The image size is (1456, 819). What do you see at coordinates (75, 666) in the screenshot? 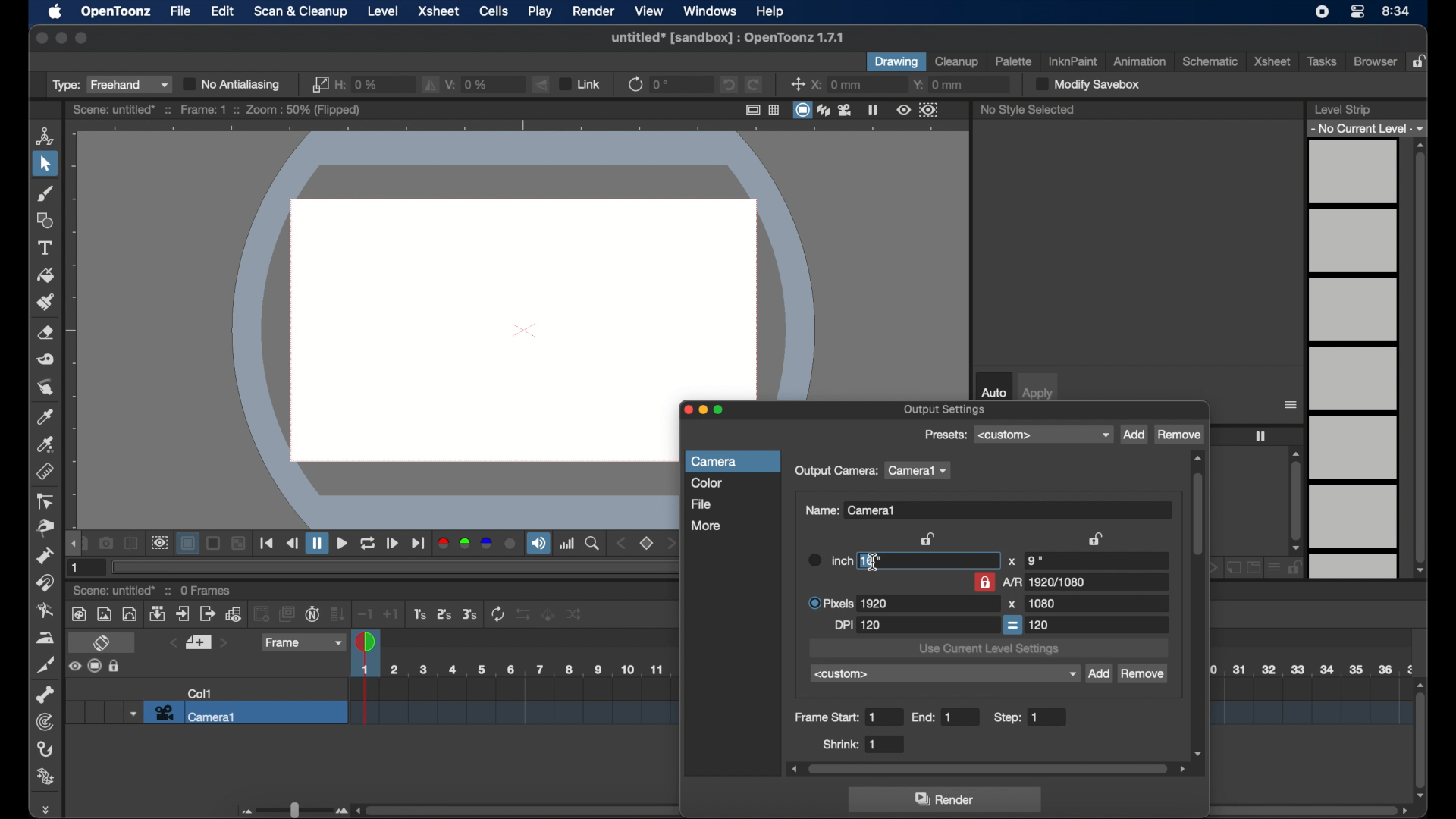
I see `` at bounding box center [75, 666].